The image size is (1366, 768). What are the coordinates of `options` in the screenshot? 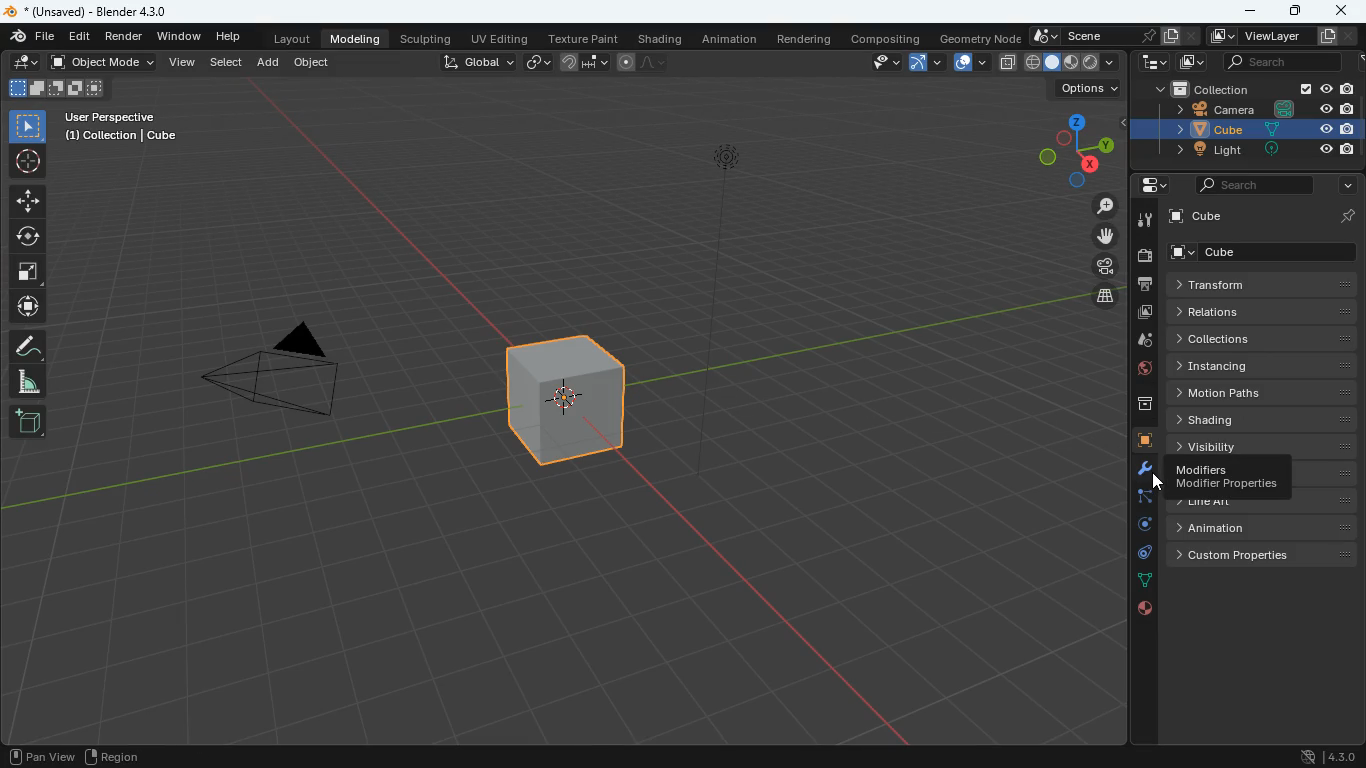 It's located at (1090, 88).